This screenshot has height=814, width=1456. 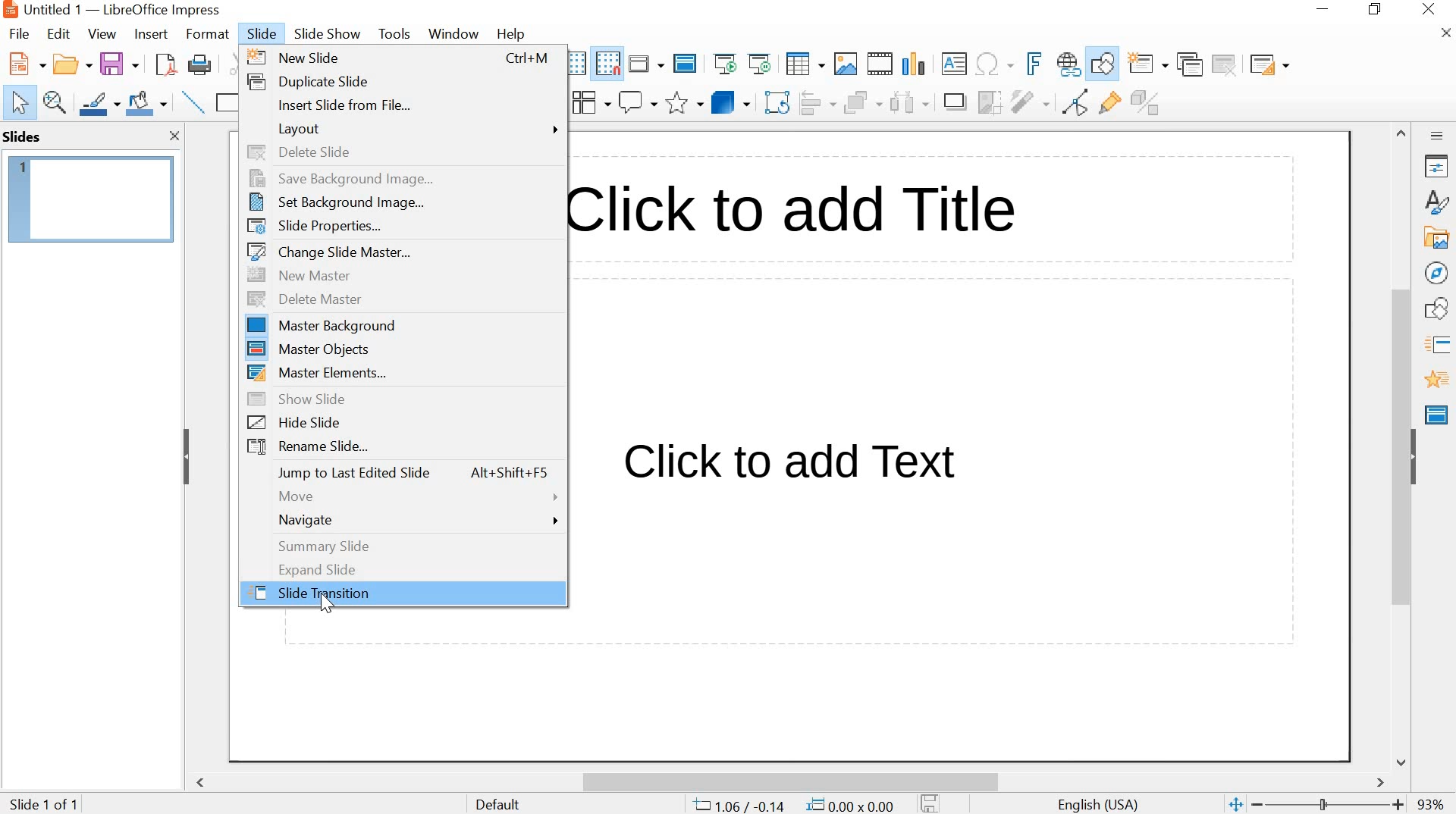 I want to click on SLIDE TRANSITION, so click(x=404, y=594).